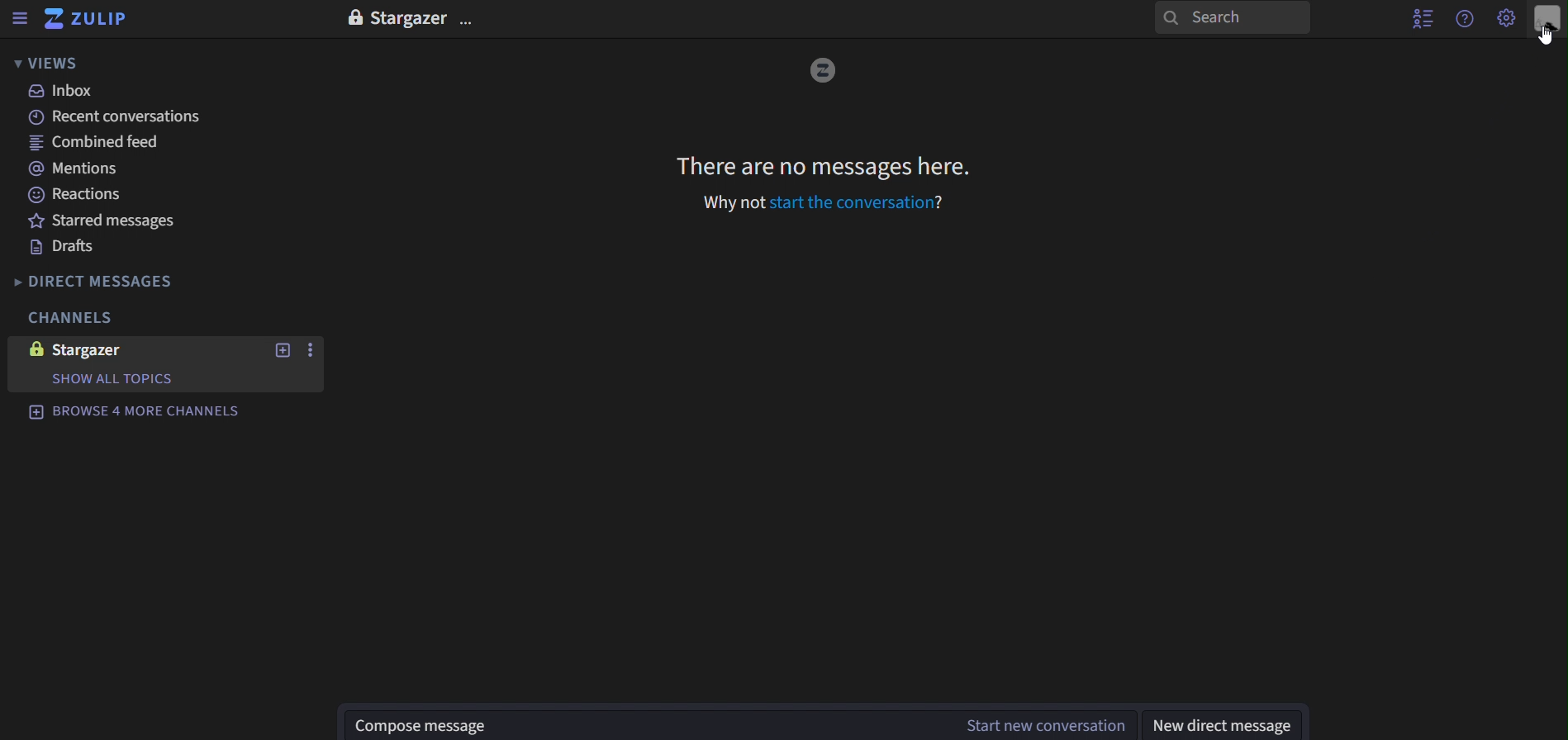 This screenshot has width=1568, height=740. What do you see at coordinates (823, 71) in the screenshot?
I see `image` at bounding box center [823, 71].